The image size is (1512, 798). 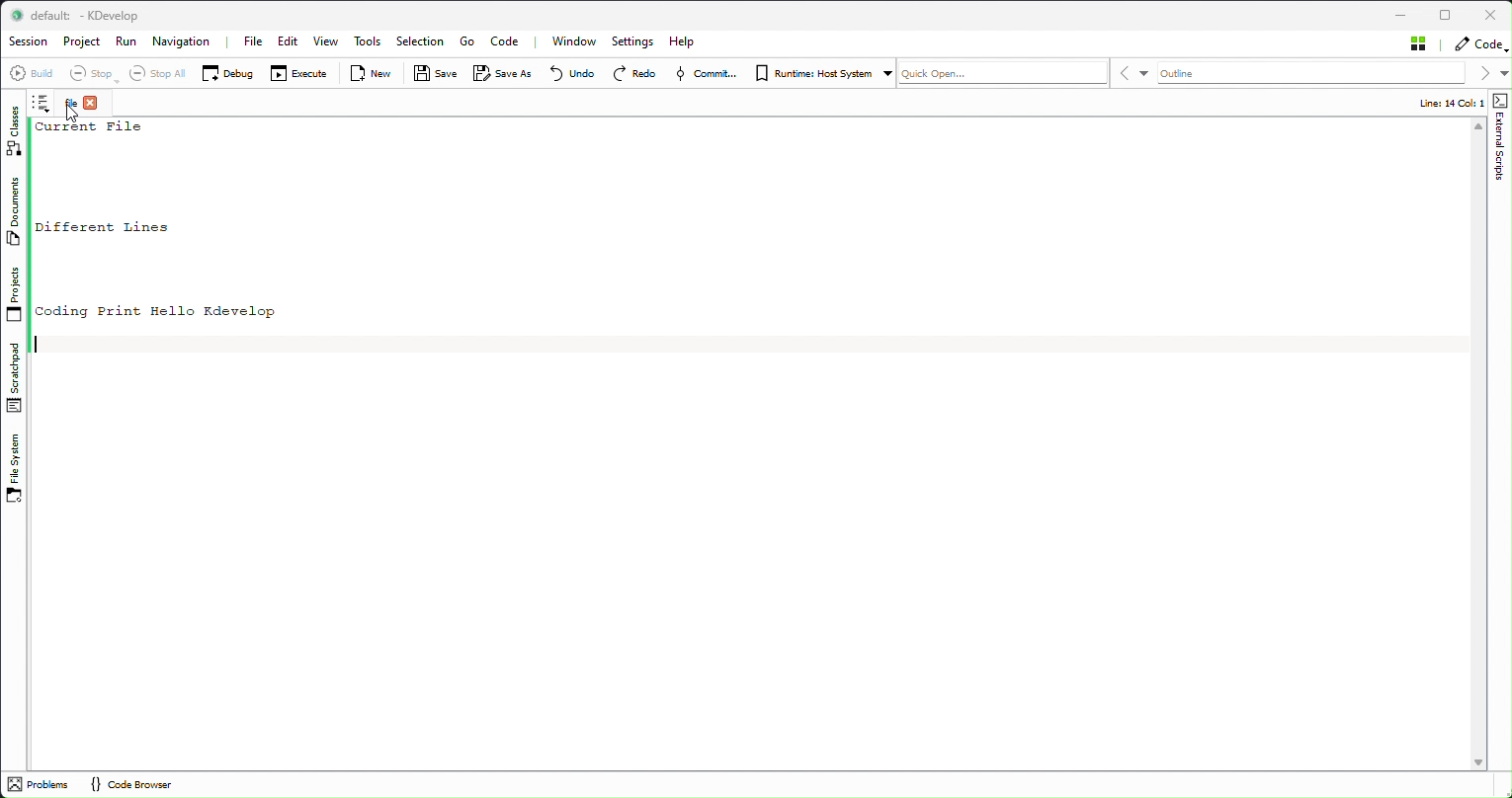 I want to click on problems, so click(x=41, y=784).